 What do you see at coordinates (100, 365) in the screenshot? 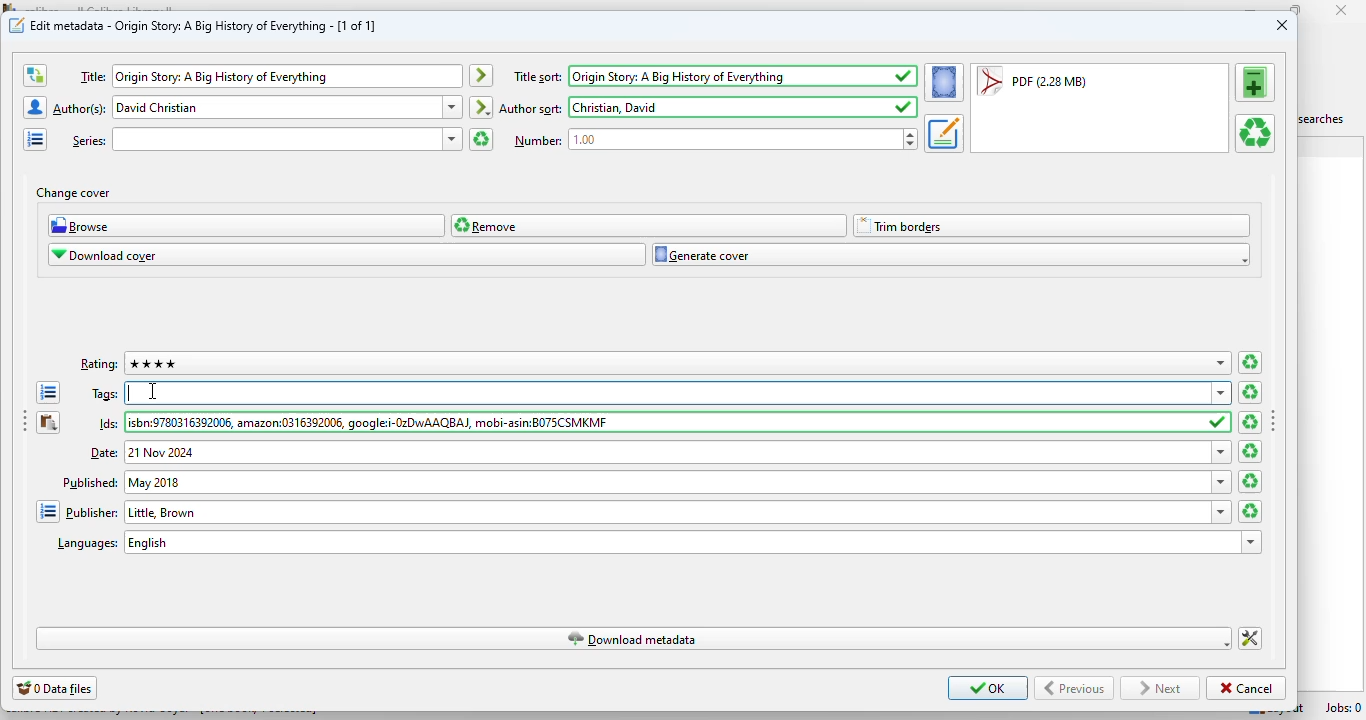
I see `text` at bounding box center [100, 365].